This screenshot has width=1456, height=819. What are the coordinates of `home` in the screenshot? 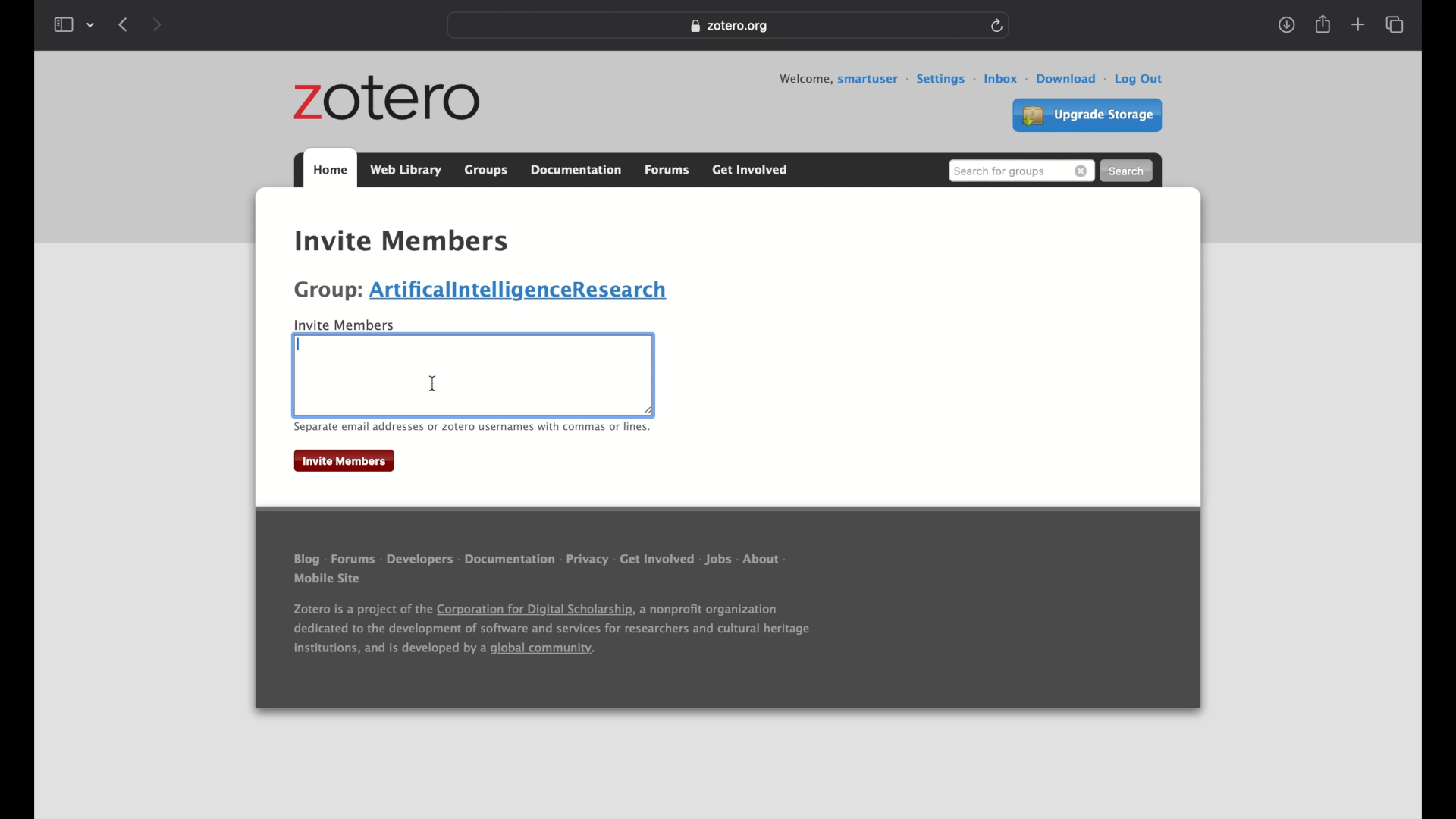 It's located at (315, 212).